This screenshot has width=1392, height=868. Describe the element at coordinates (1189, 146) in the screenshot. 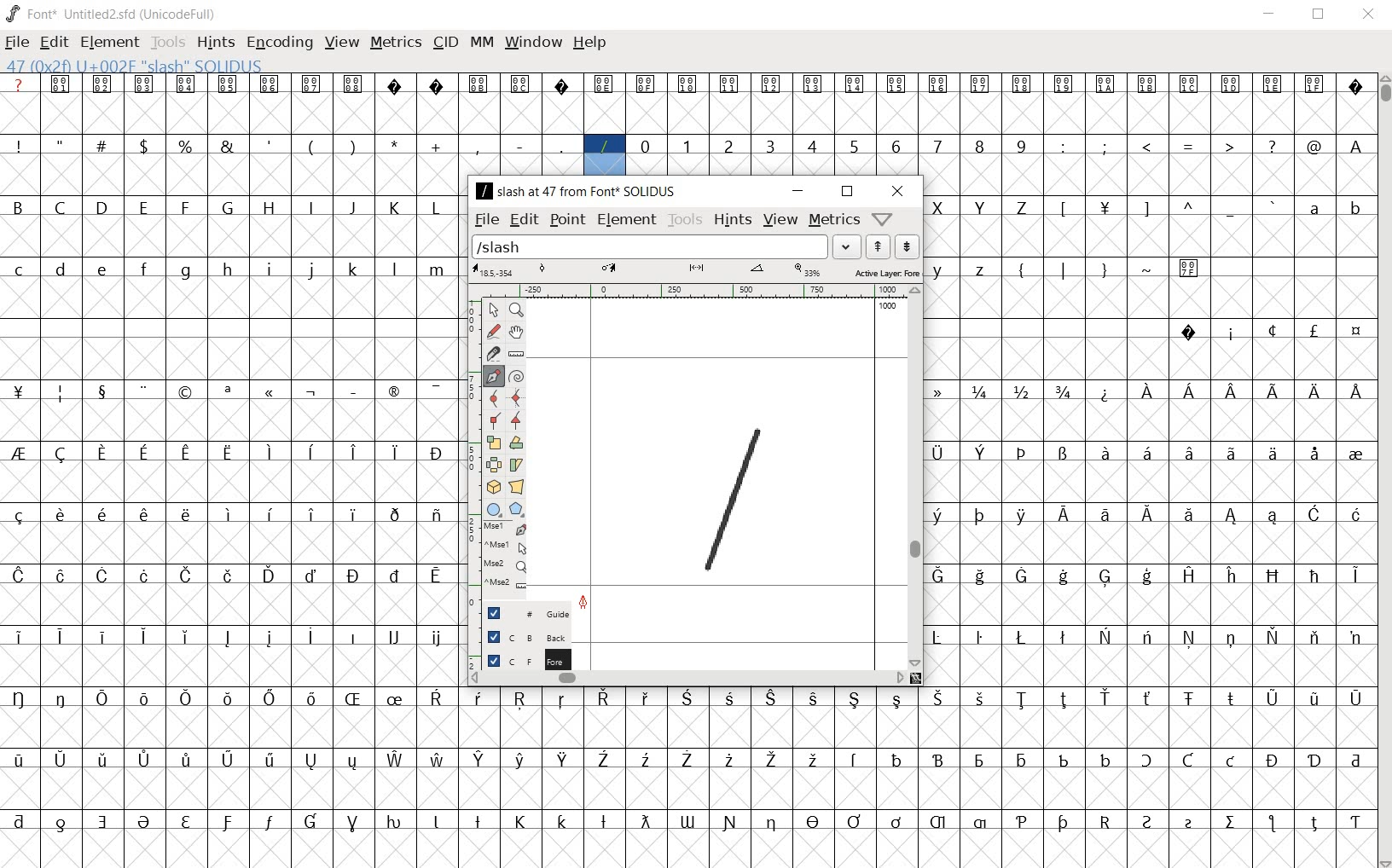

I see `symbols` at that location.